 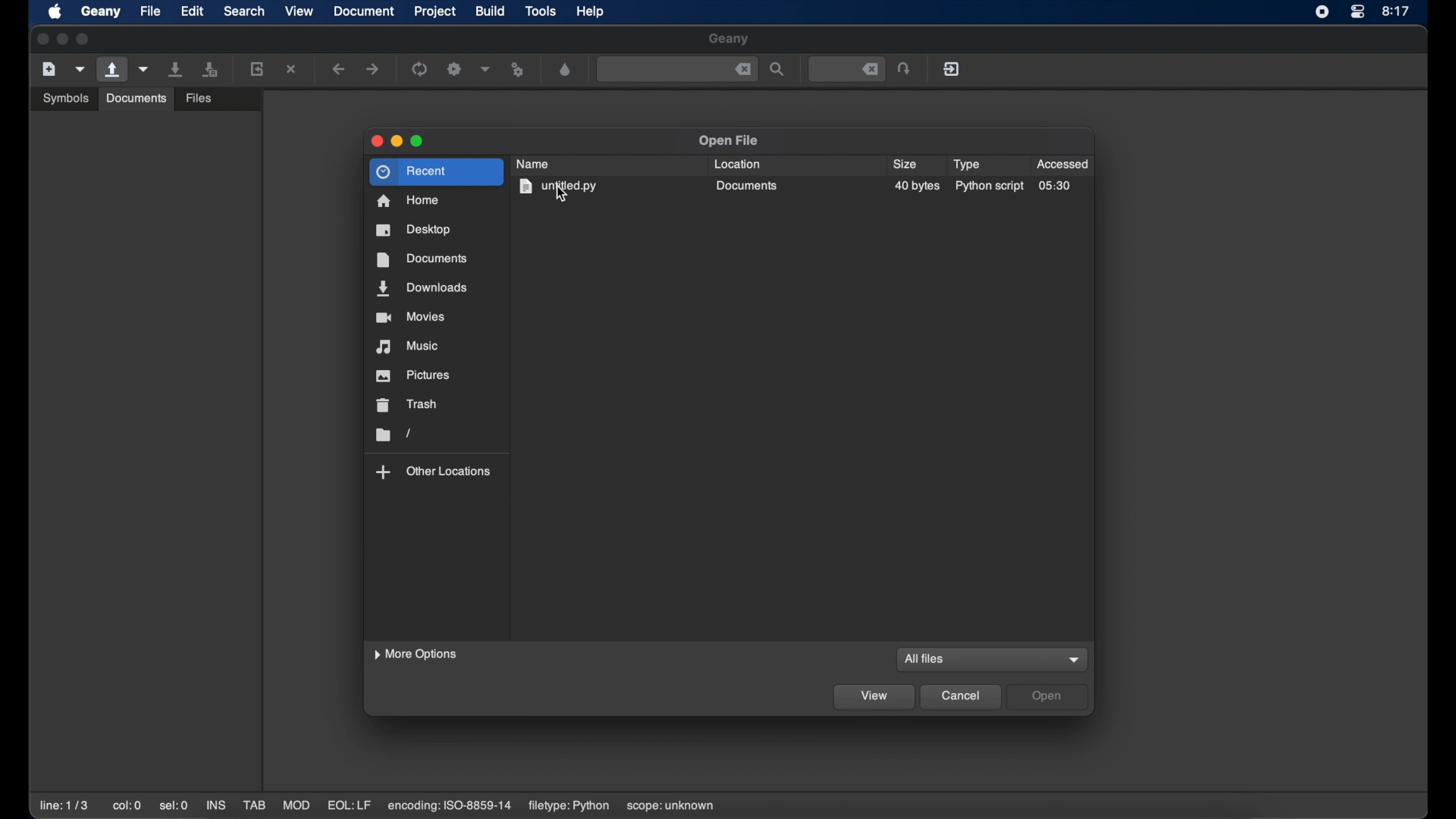 I want to click on accessed, so click(x=1062, y=164).